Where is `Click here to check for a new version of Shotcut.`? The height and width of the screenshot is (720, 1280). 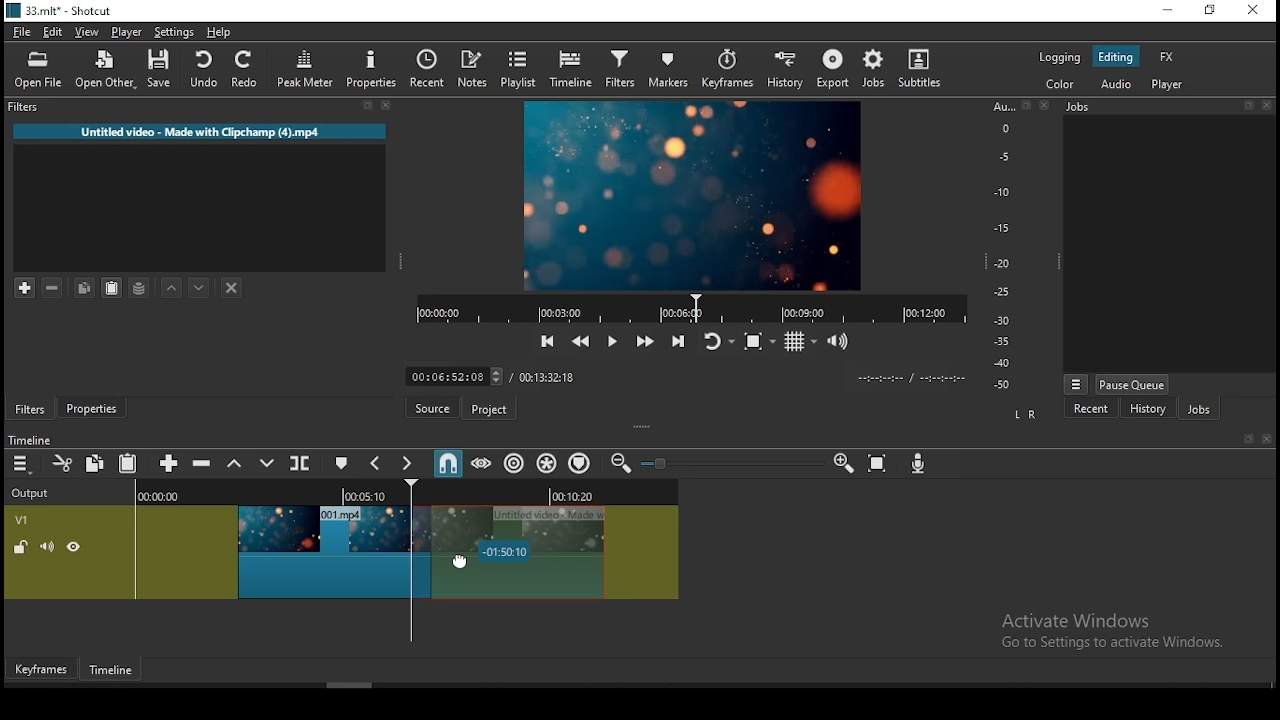
Click here to check for a new version of Shotcut. is located at coordinates (654, 409).